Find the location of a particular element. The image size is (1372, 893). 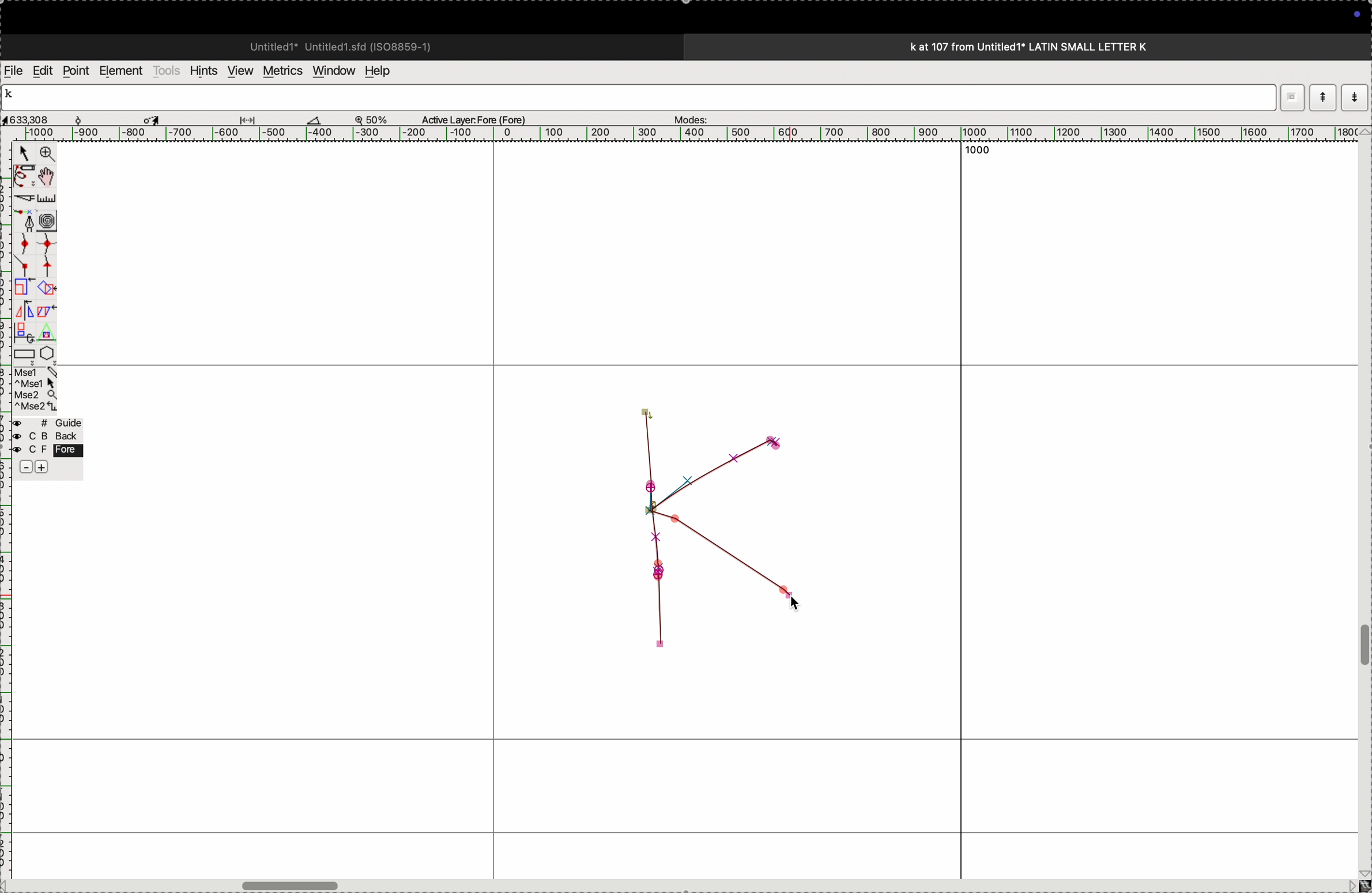

zoom is located at coordinates (377, 119).